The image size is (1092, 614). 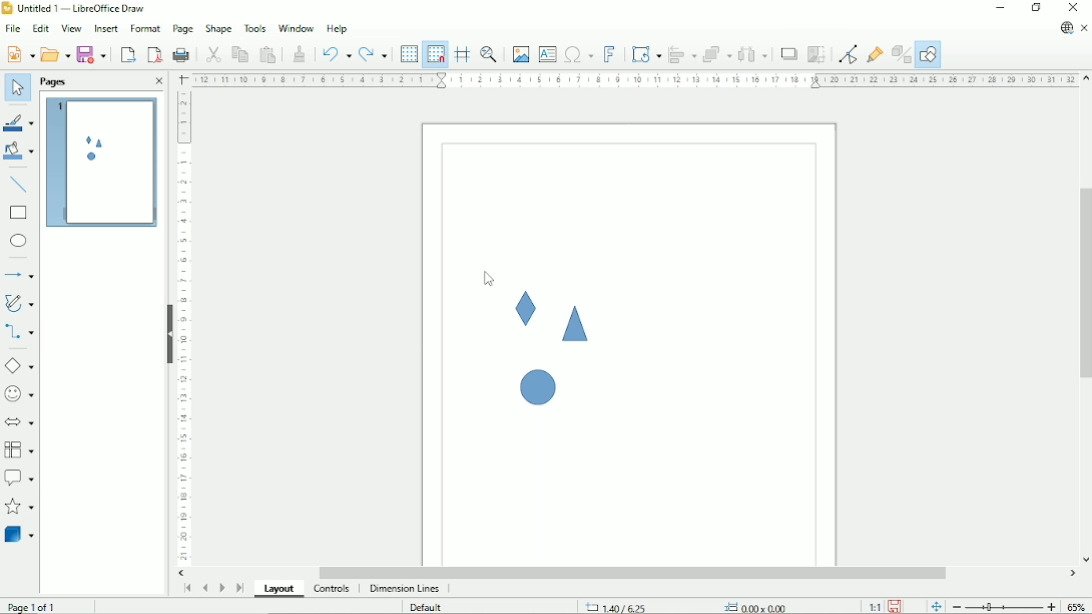 I want to click on Minimize, so click(x=1000, y=8).